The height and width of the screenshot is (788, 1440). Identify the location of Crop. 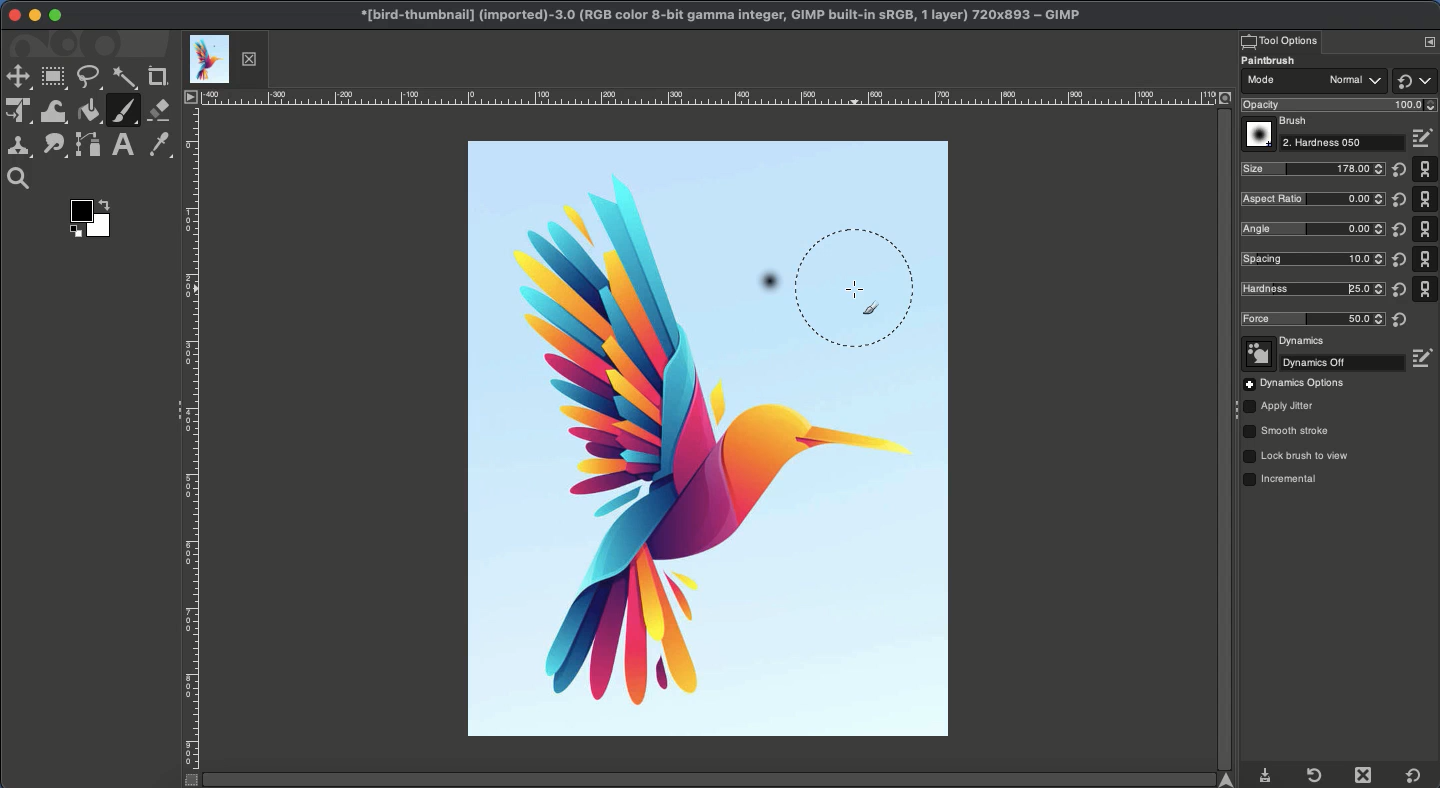
(159, 77).